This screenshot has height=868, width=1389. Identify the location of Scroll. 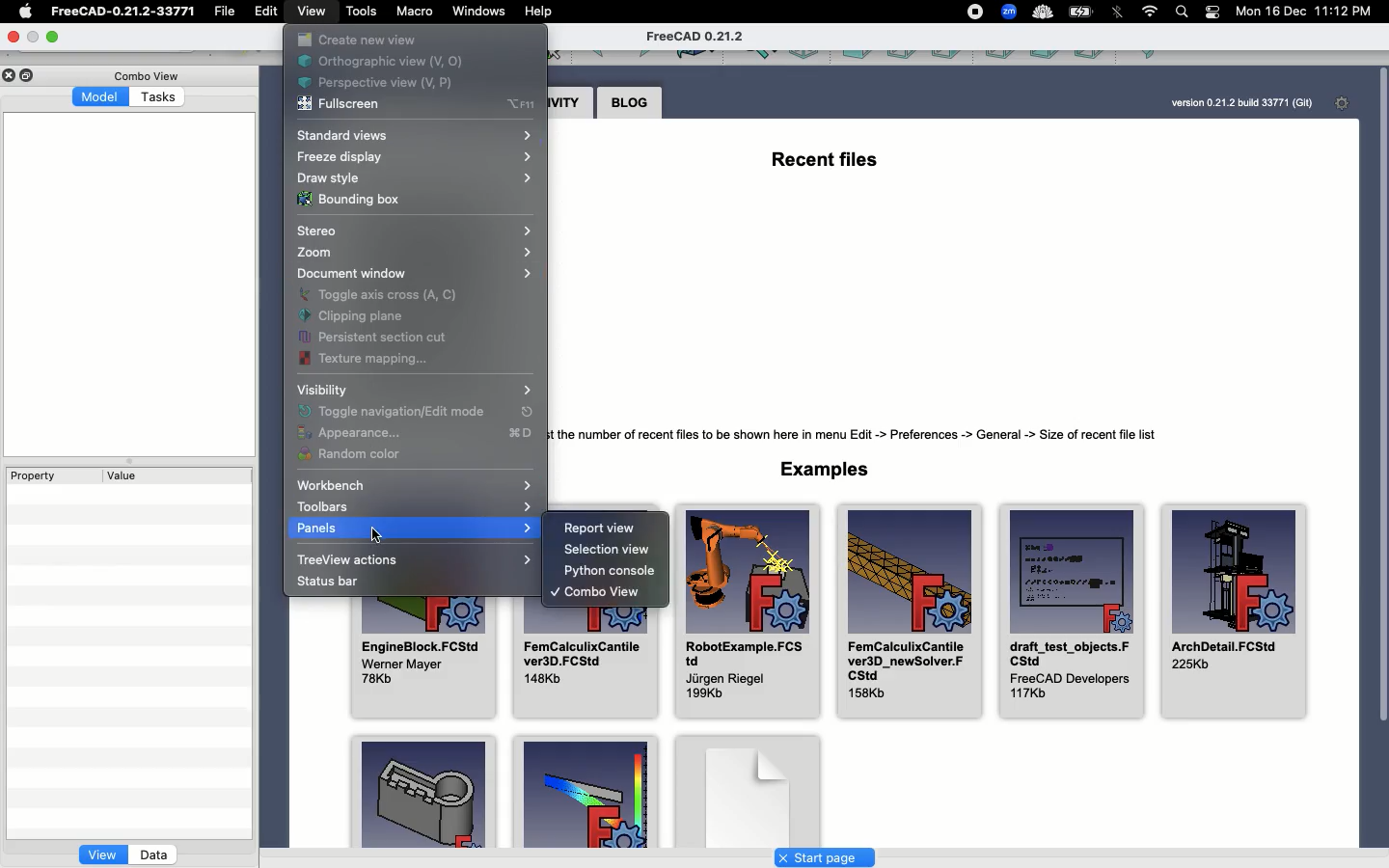
(1380, 453).